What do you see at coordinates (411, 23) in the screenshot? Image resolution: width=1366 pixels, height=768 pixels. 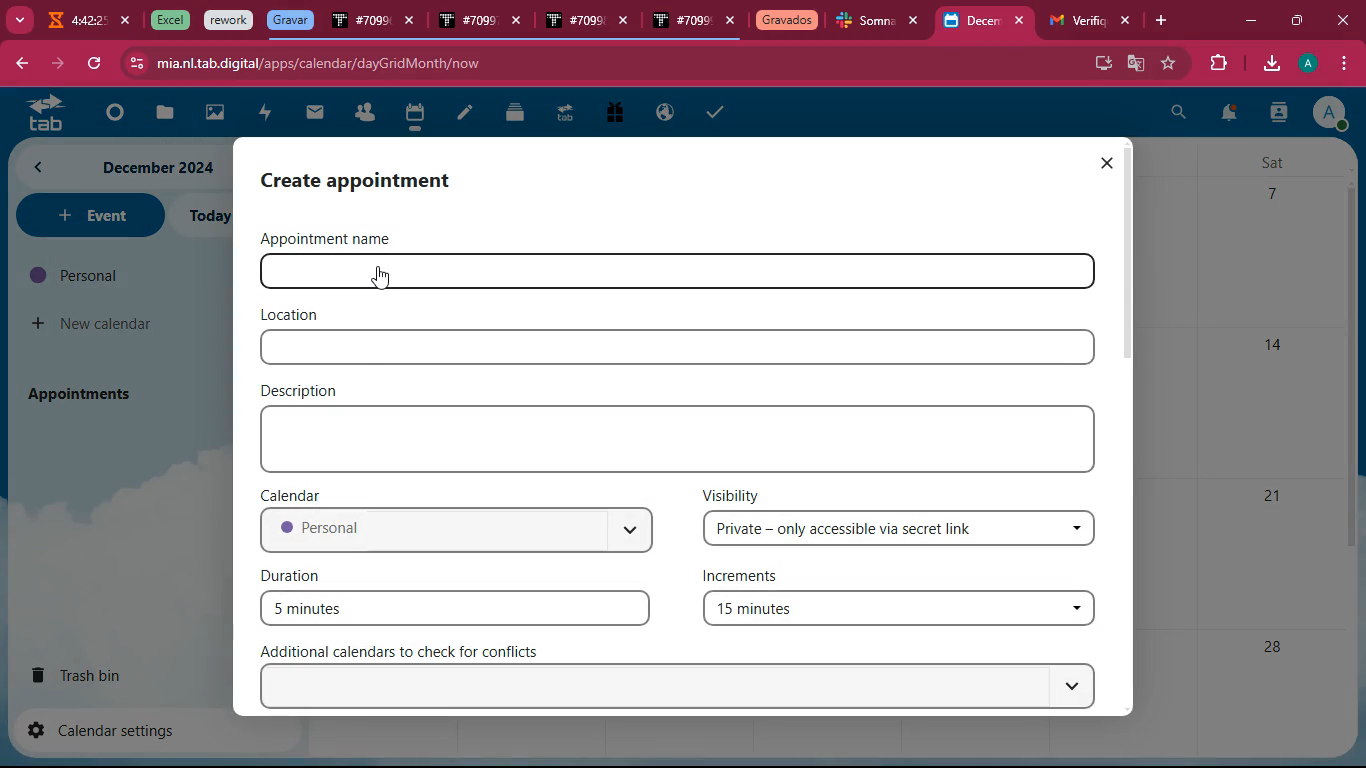 I see `close` at bounding box center [411, 23].